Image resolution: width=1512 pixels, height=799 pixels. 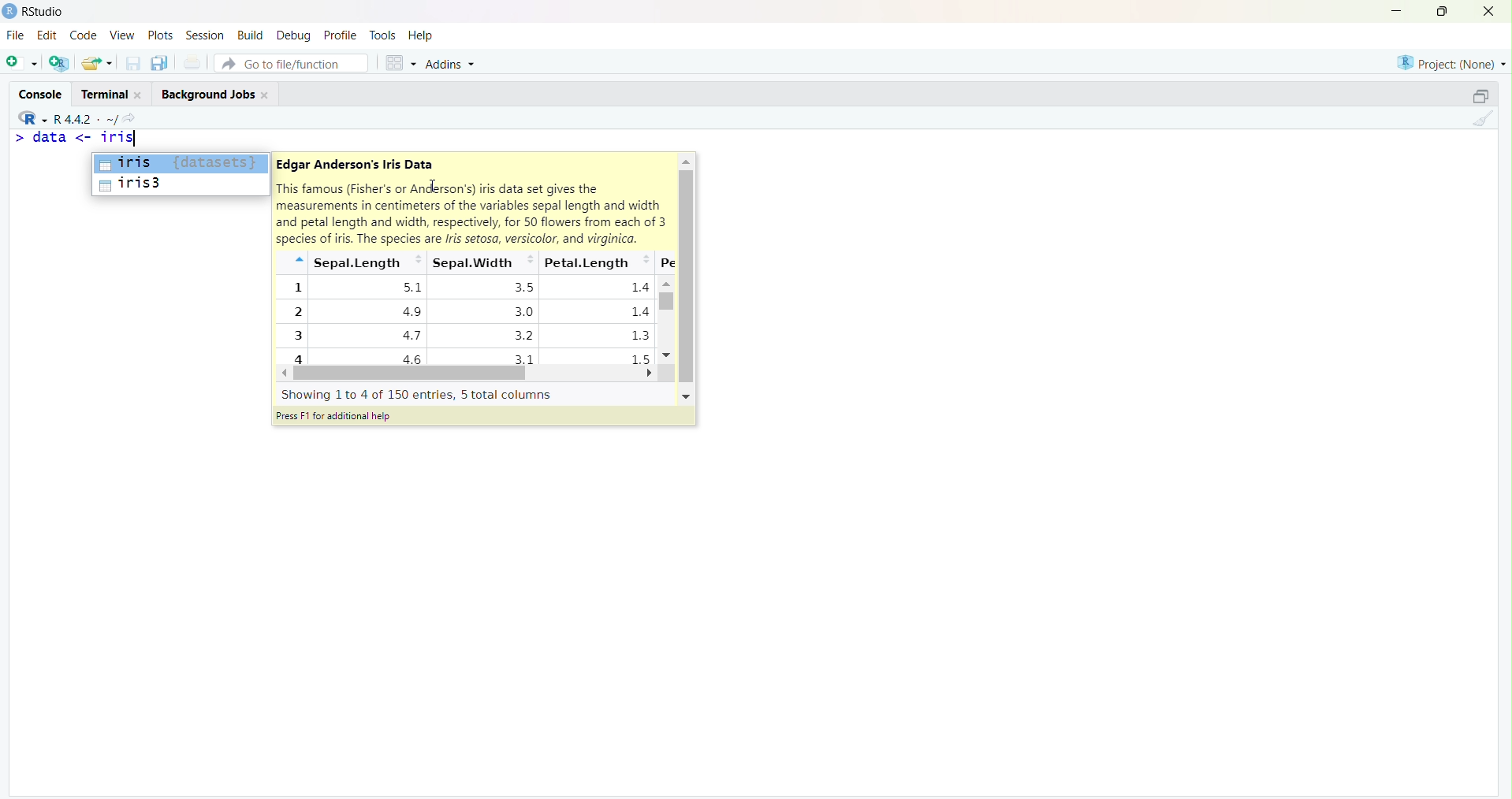 I want to click on Addins, so click(x=452, y=62).